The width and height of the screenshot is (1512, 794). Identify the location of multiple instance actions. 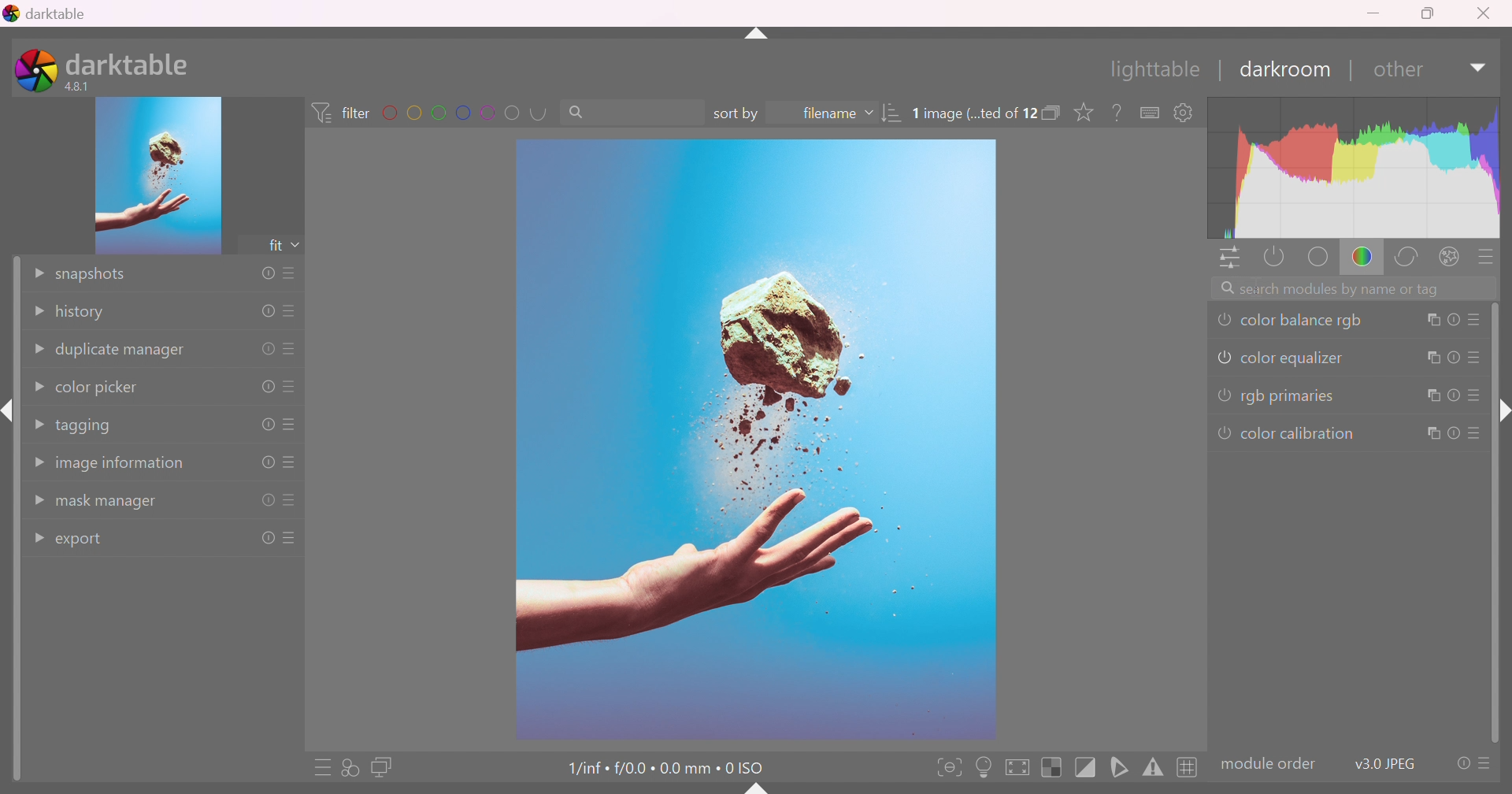
(1430, 395).